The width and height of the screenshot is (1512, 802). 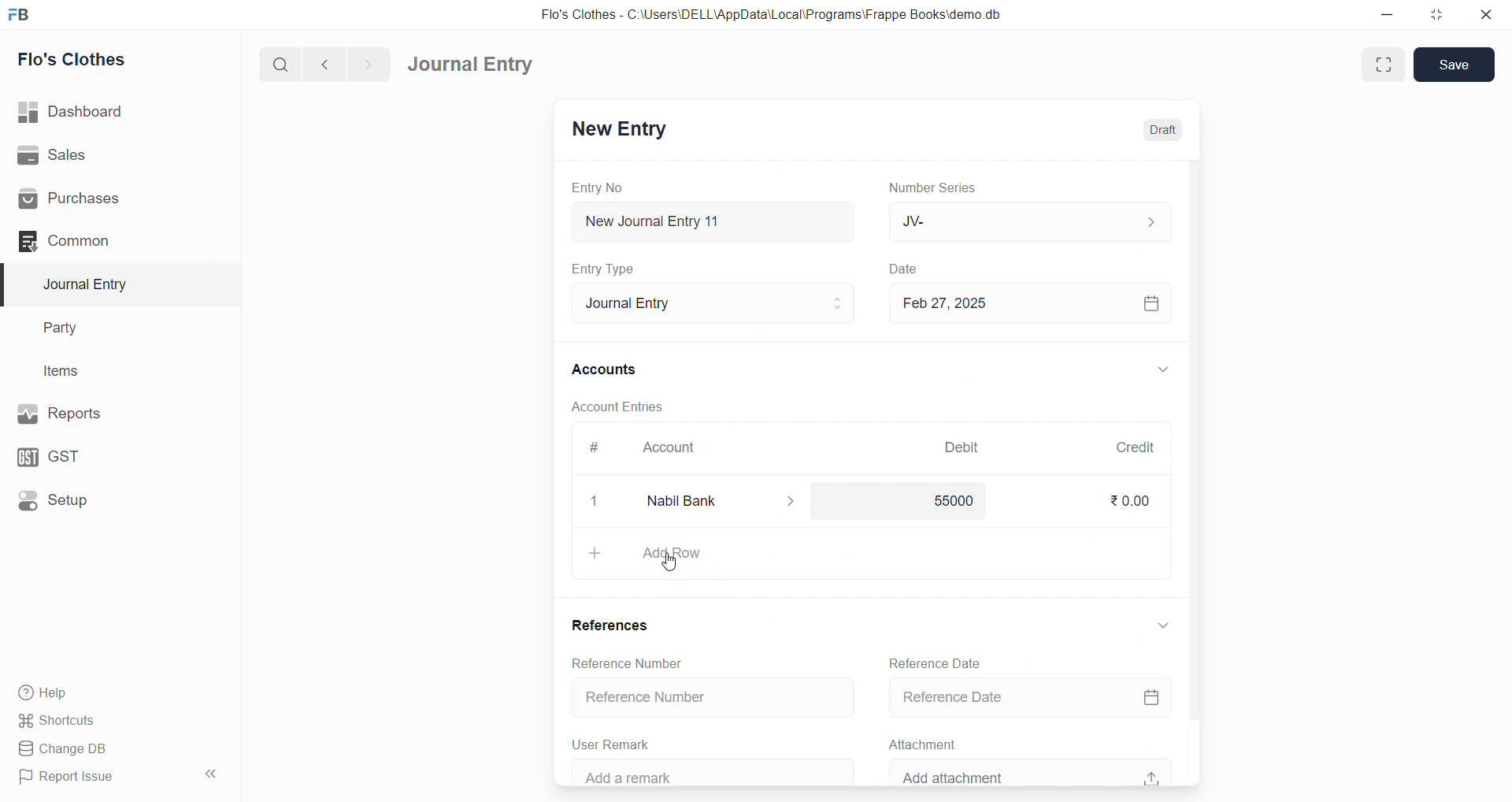 I want to click on Entry No, so click(x=597, y=188).